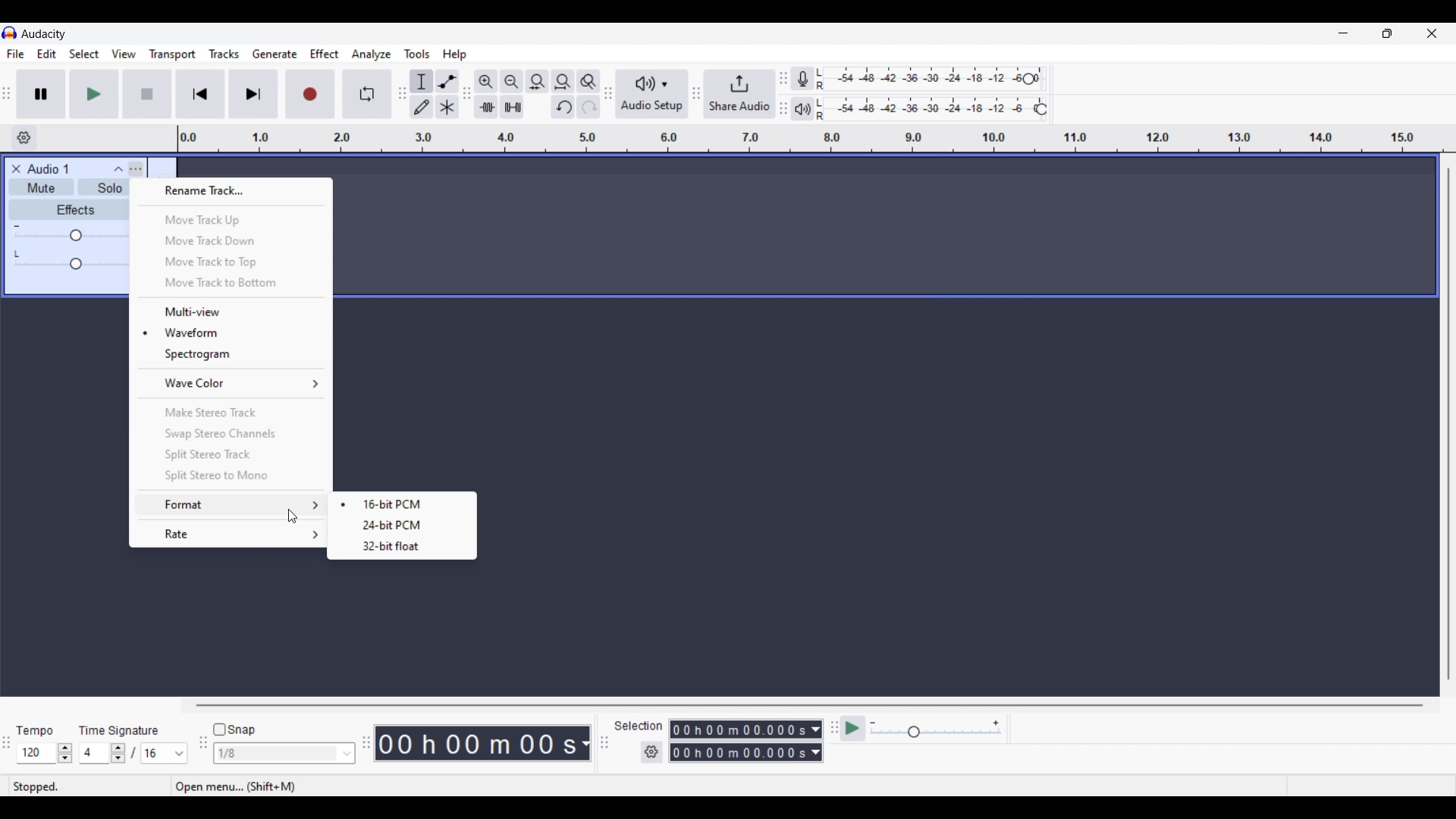 The height and width of the screenshot is (819, 1456). What do you see at coordinates (368, 94) in the screenshot?
I see `Enable looping` at bounding box center [368, 94].